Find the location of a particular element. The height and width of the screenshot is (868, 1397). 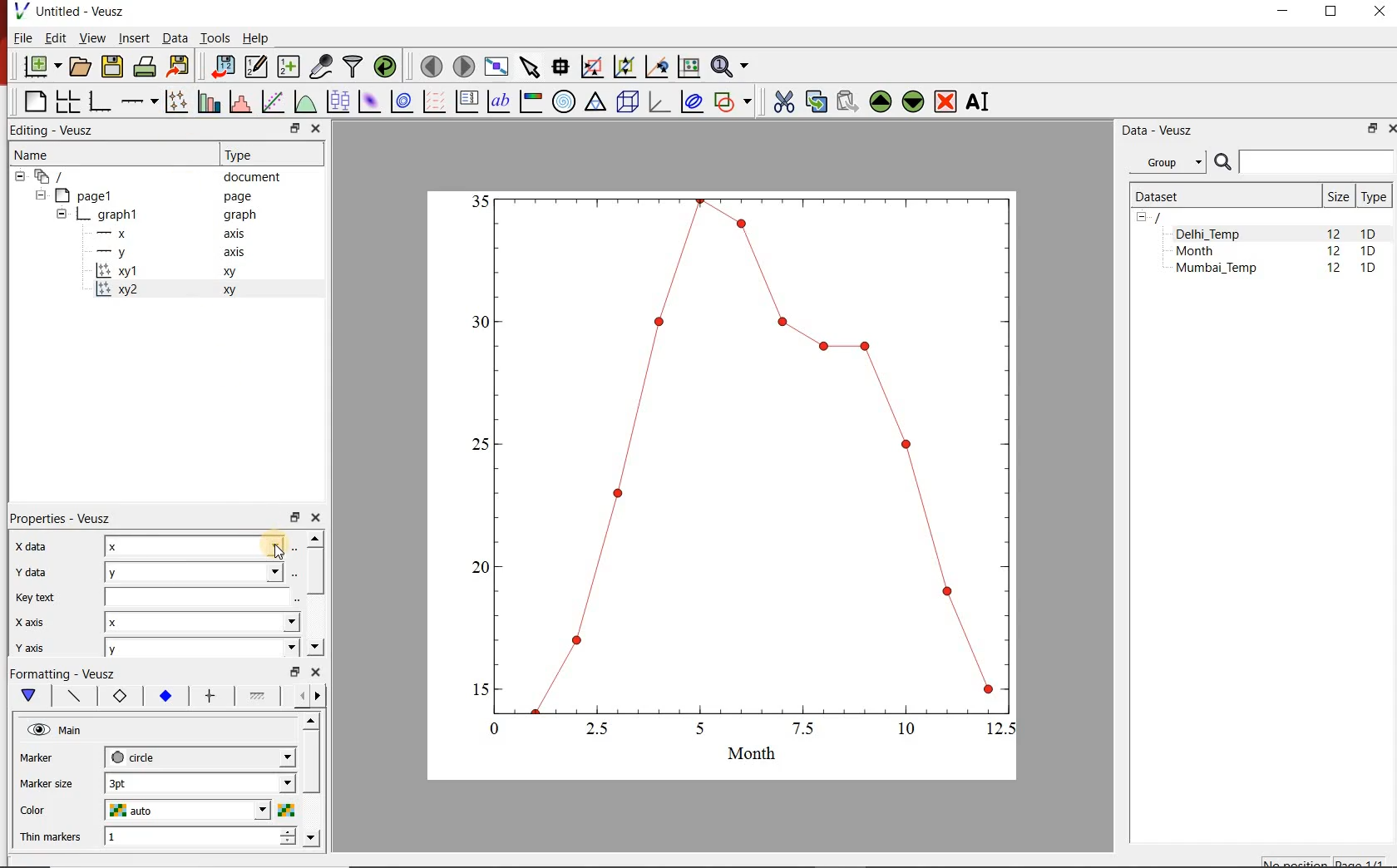

new document is located at coordinates (41, 67).